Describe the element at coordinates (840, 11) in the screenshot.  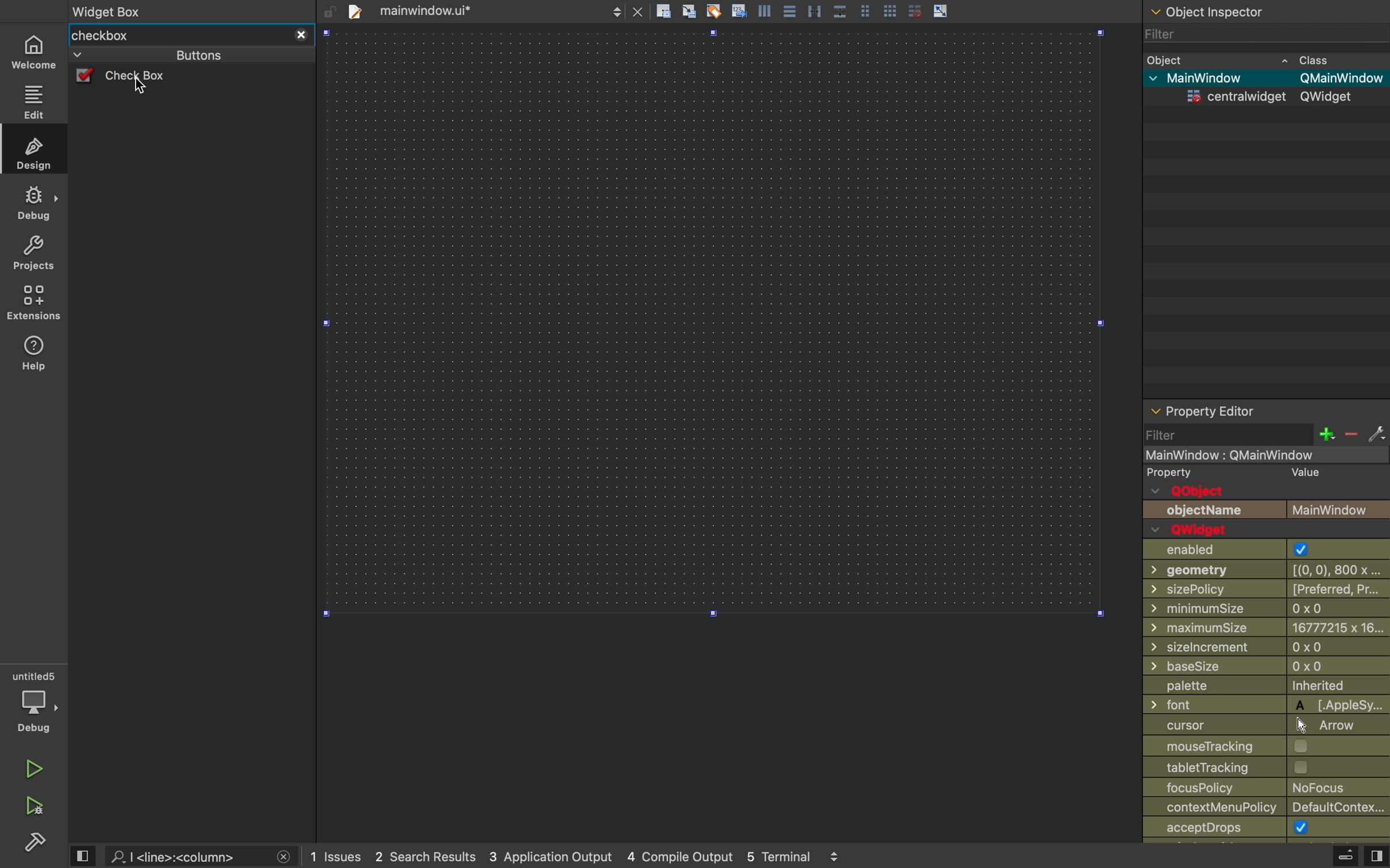
I see `distribute vertically` at that location.